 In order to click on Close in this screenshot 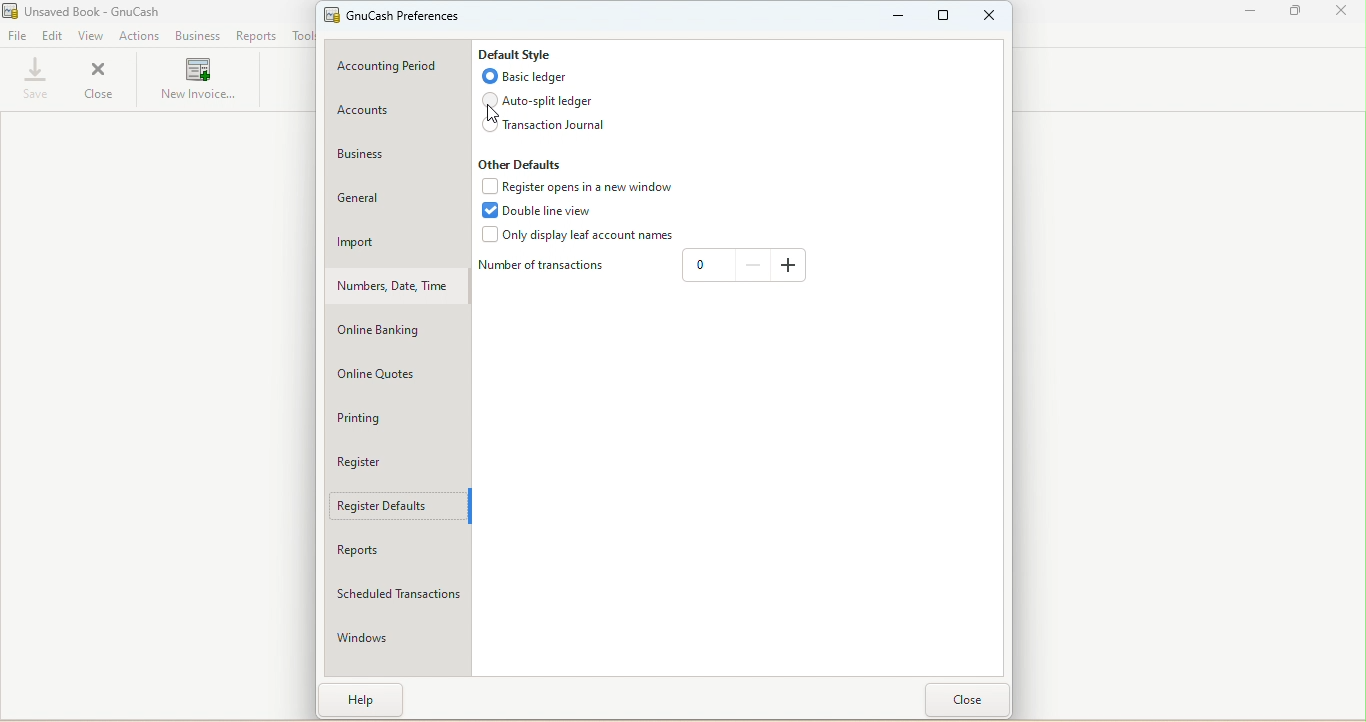, I will do `click(108, 78)`.